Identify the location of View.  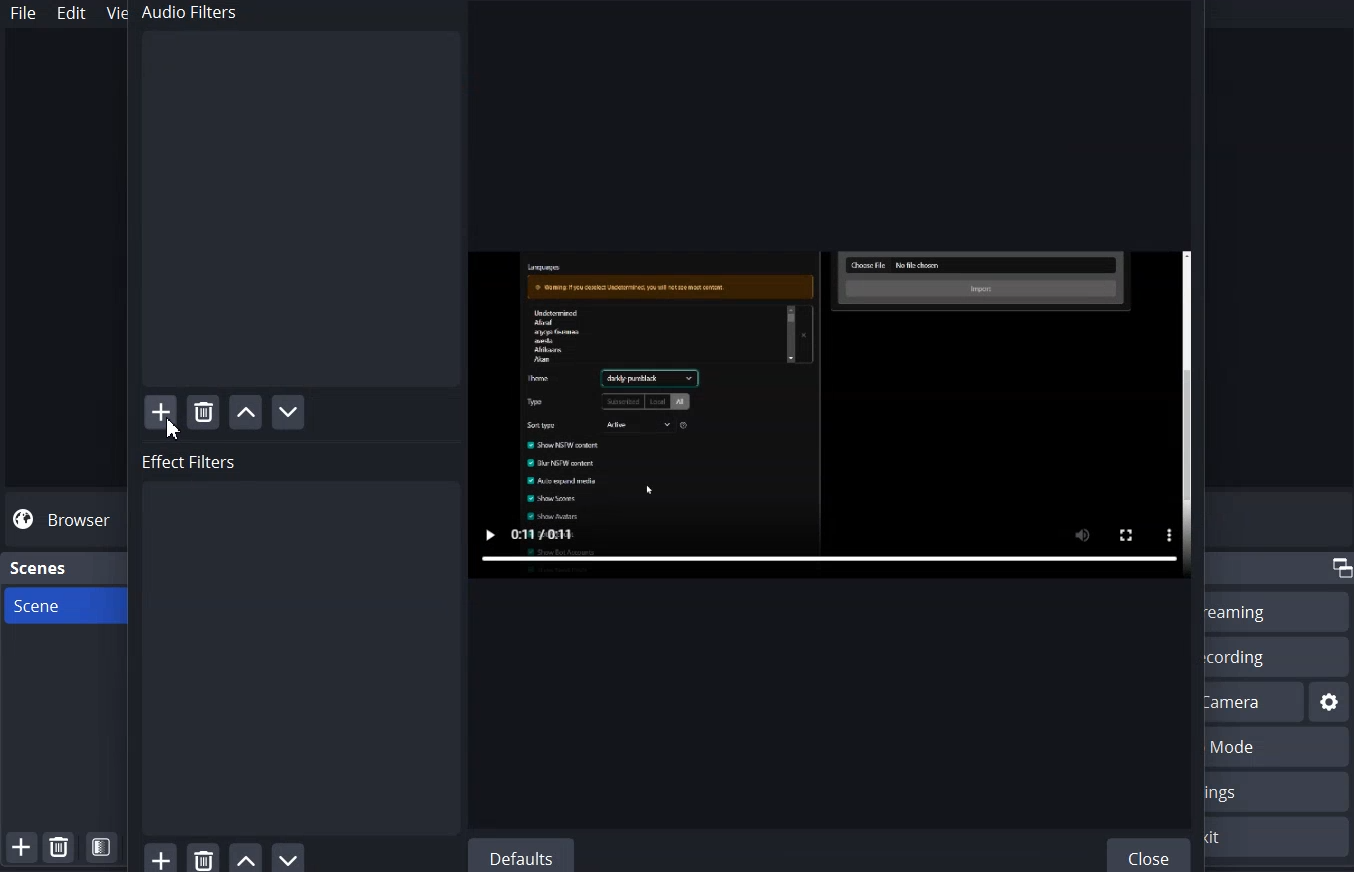
(112, 12).